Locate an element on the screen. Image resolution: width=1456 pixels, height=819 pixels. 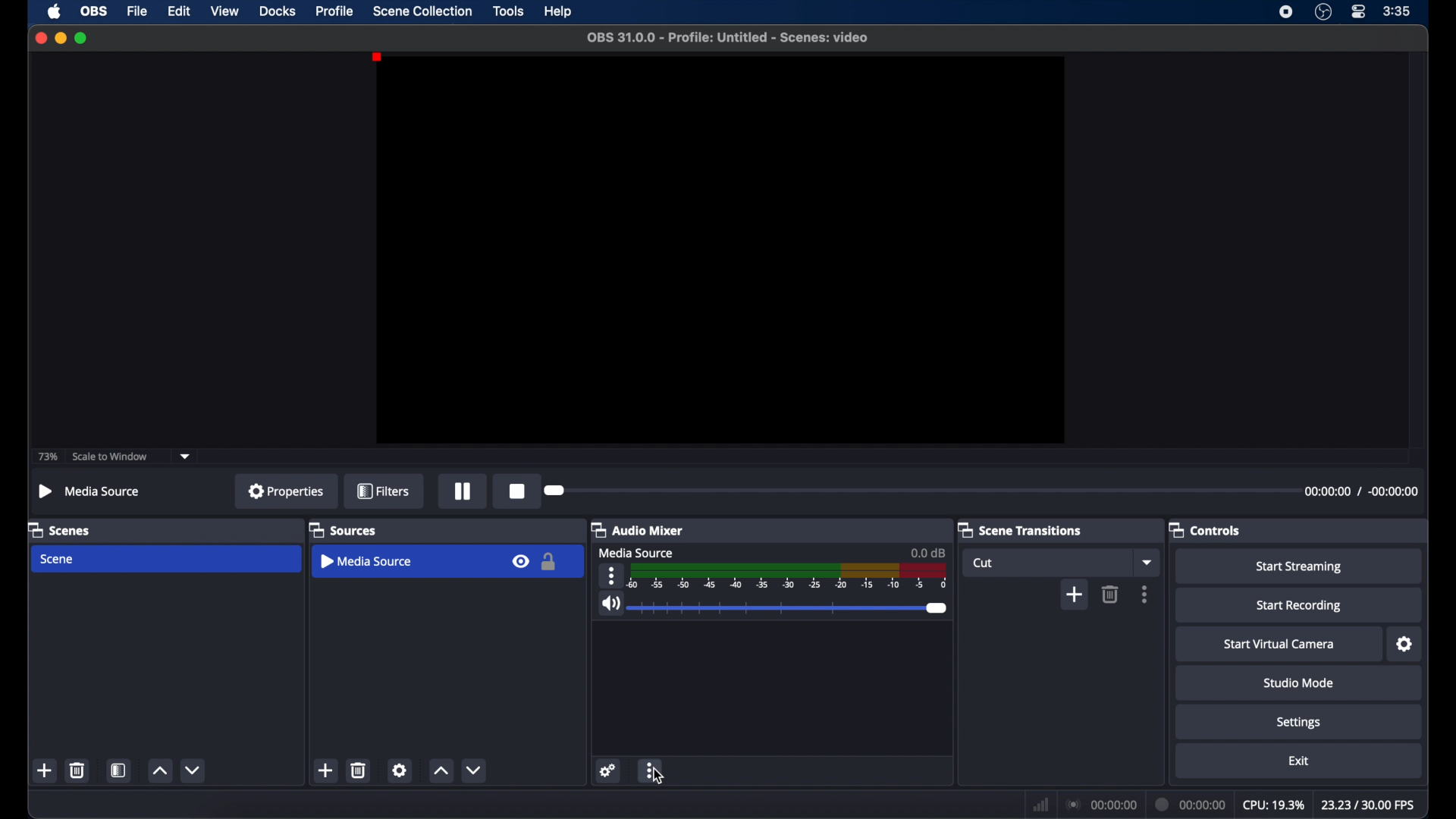
docks is located at coordinates (278, 11).